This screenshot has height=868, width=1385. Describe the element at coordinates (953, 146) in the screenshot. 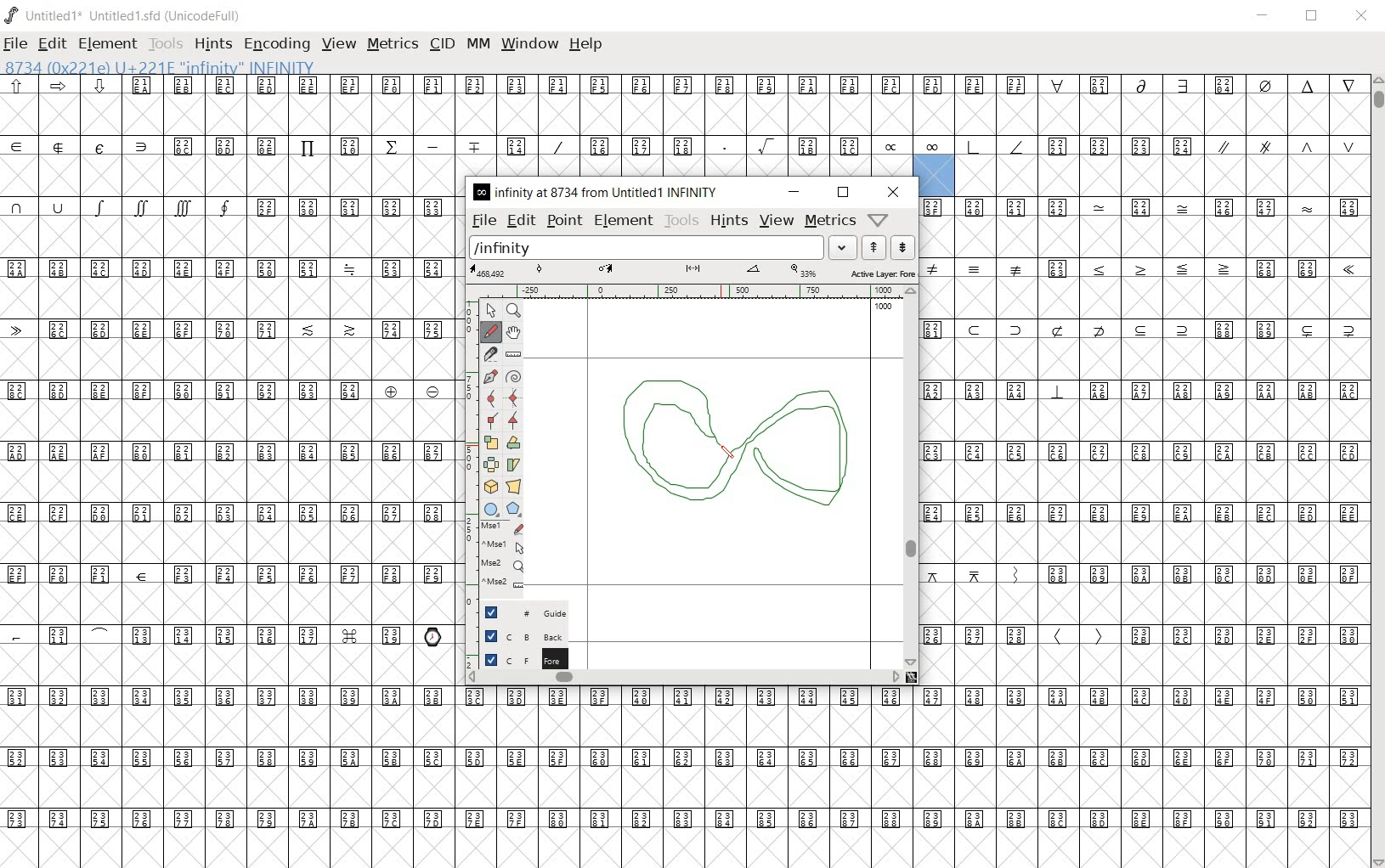

I see `symbols` at that location.